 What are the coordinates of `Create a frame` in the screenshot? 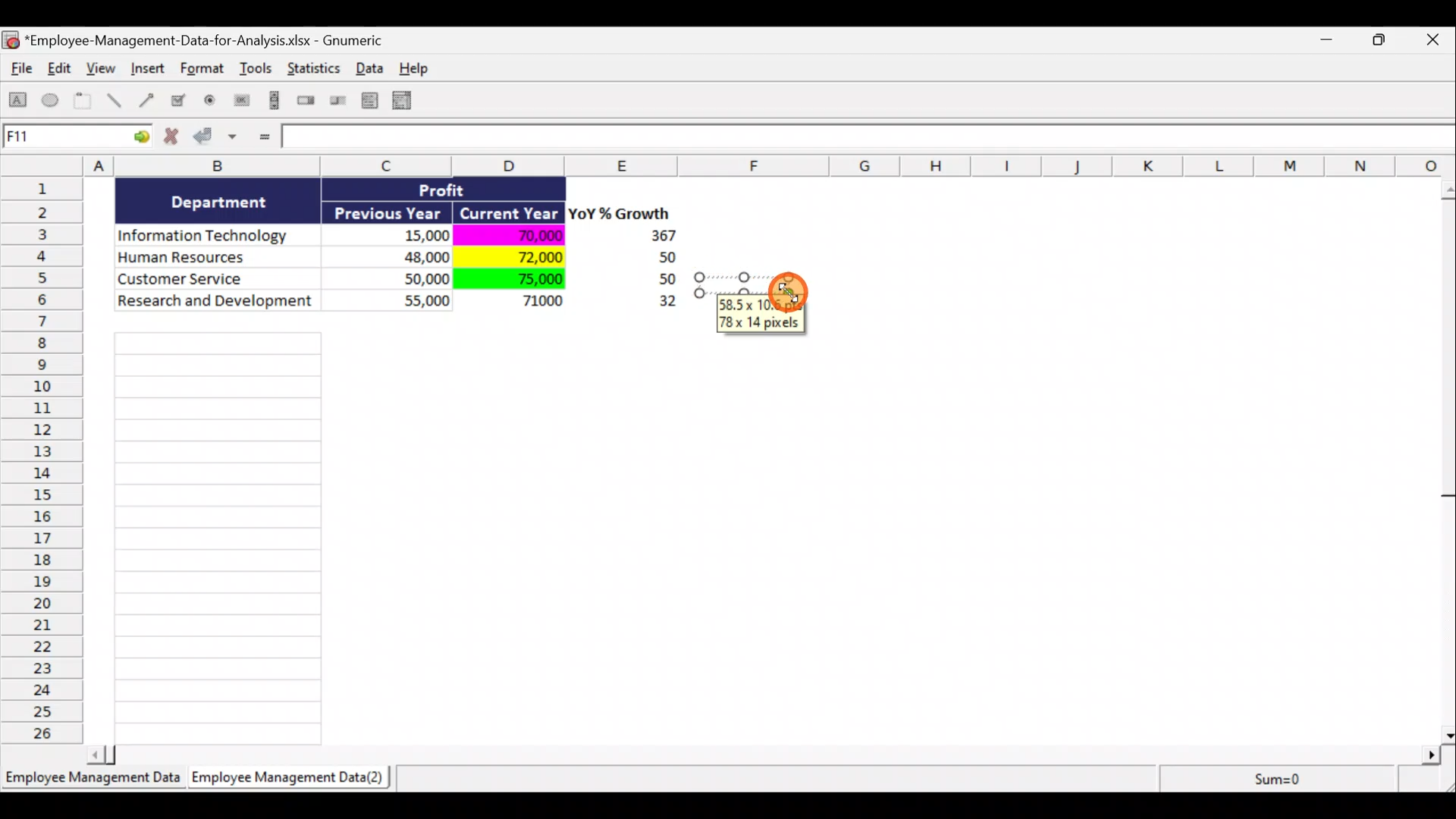 It's located at (83, 102).